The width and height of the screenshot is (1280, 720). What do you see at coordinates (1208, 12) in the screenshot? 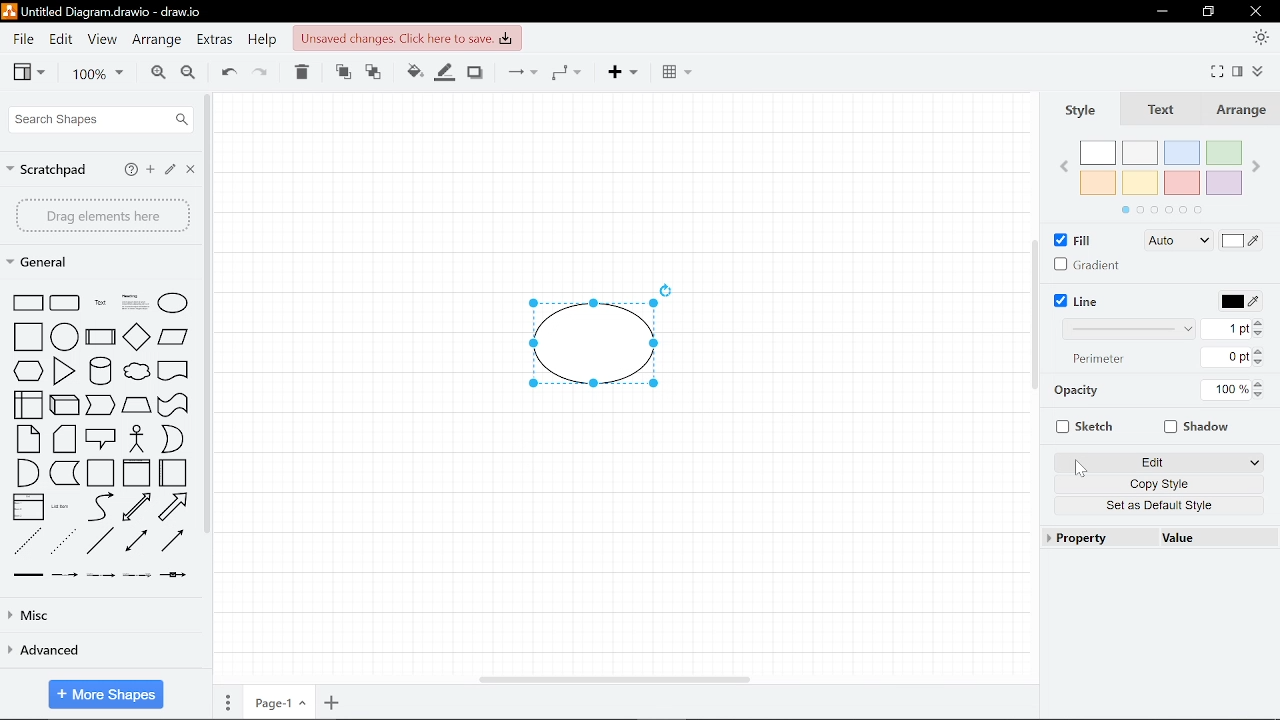
I see `restore down` at bounding box center [1208, 12].